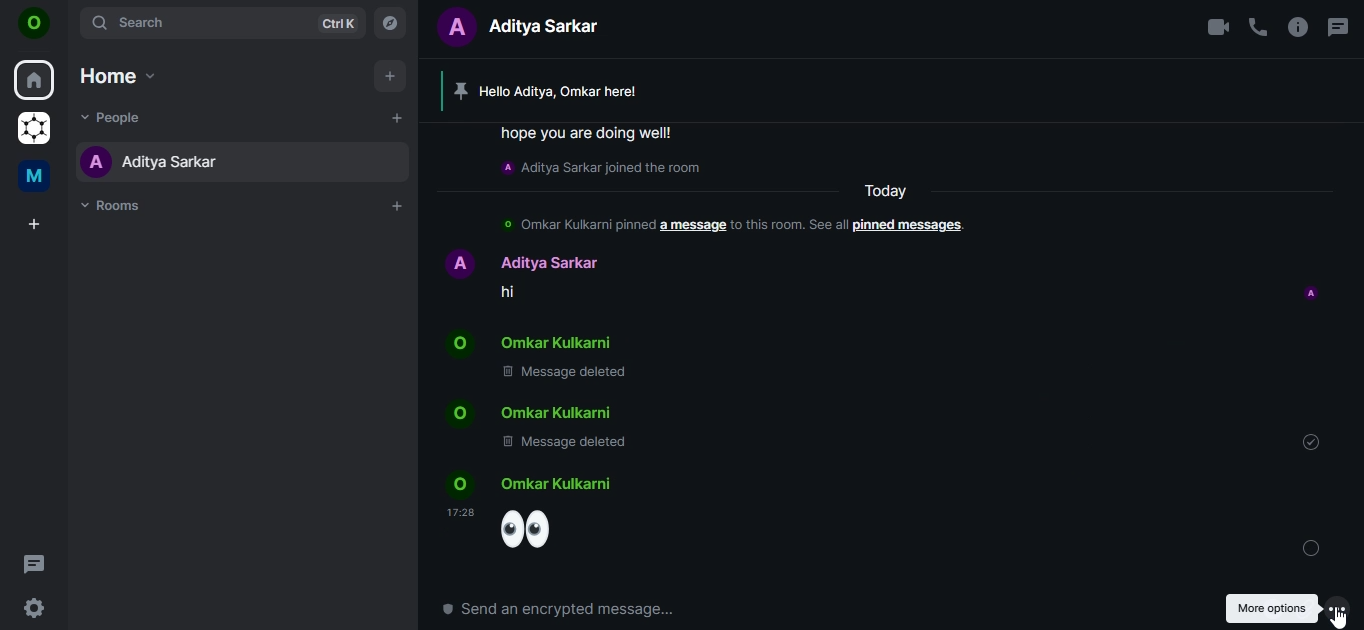 The width and height of the screenshot is (1364, 630). What do you see at coordinates (1337, 607) in the screenshot?
I see `more options` at bounding box center [1337, 607].